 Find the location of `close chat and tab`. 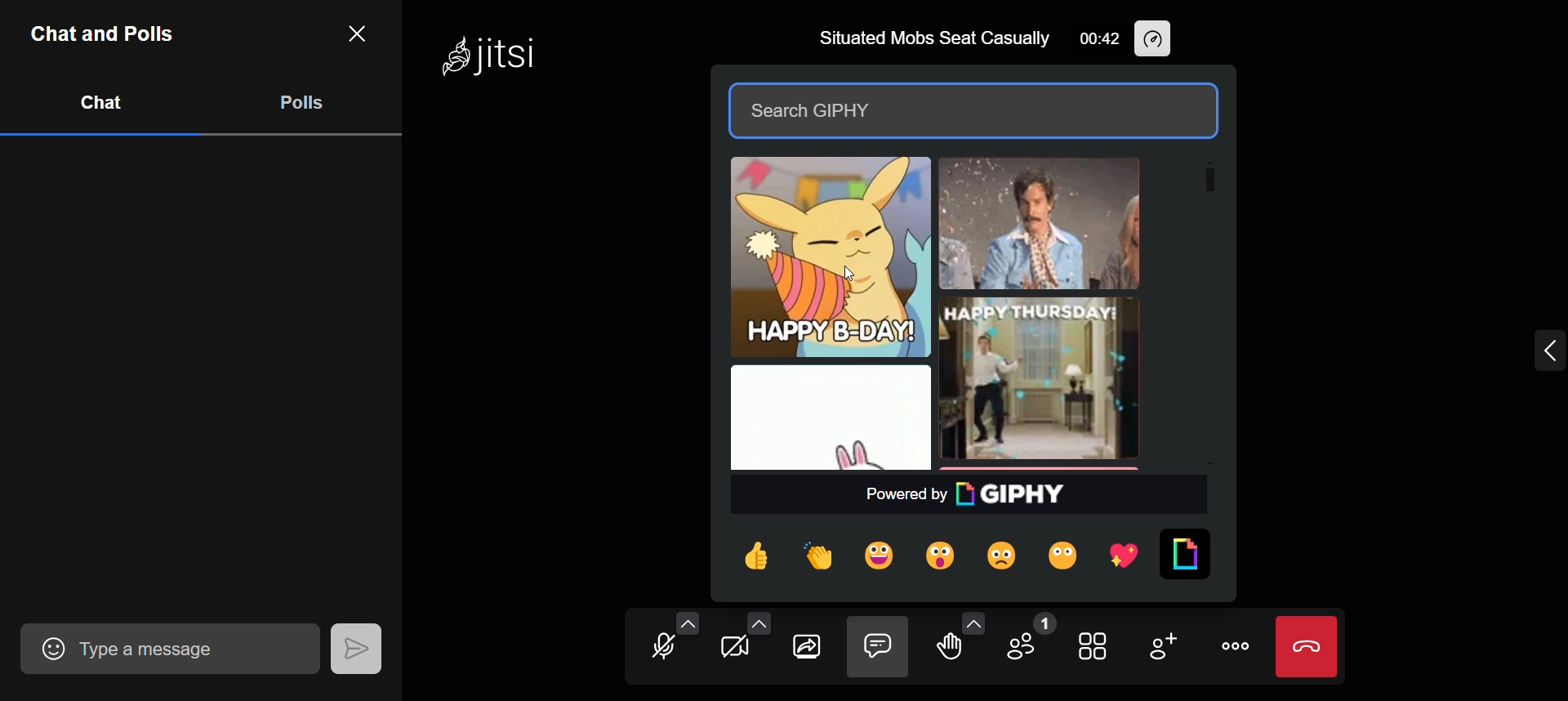

close chat and tab is located at coordinates (352, 36).